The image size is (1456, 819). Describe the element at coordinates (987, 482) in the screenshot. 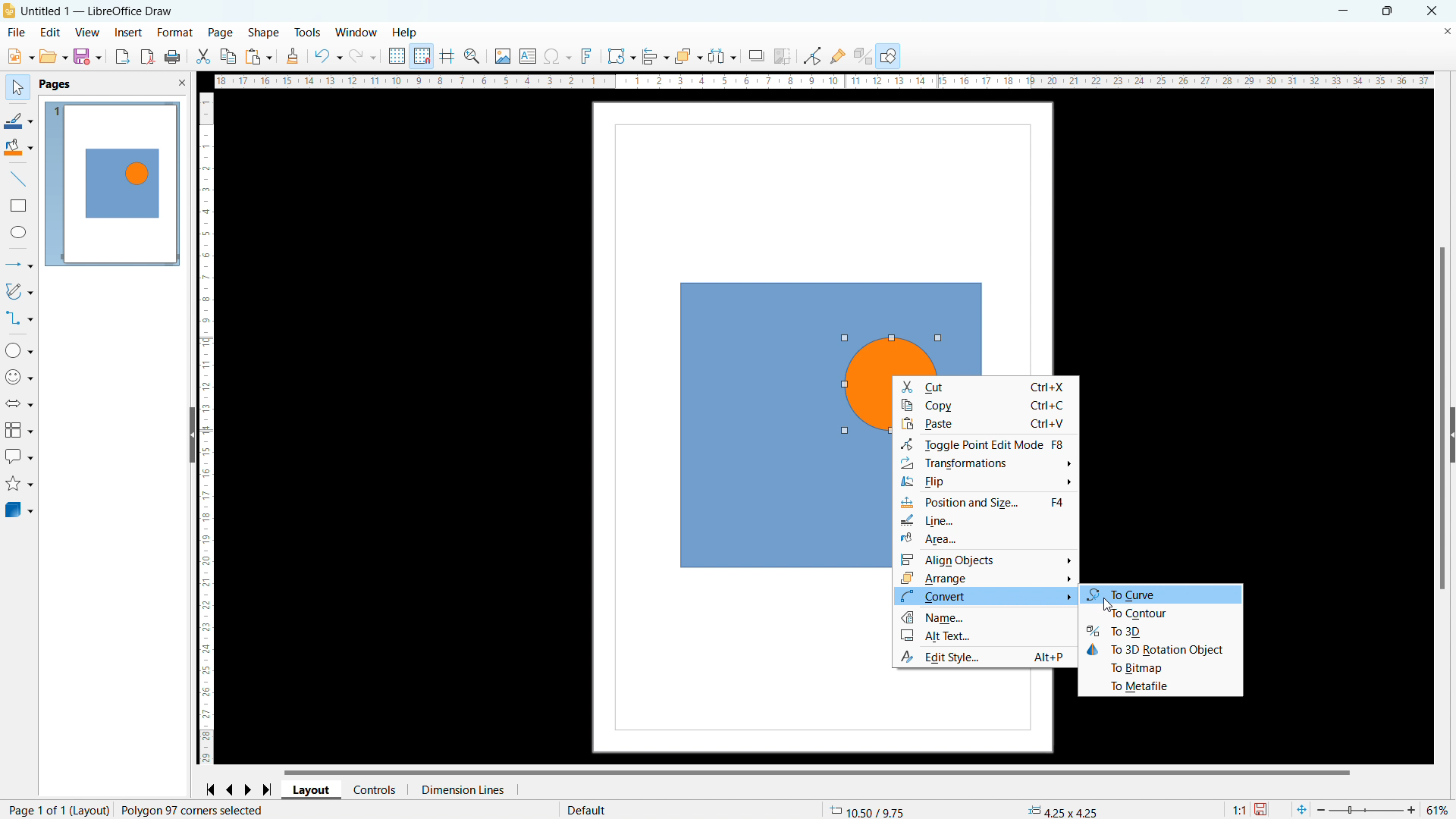

I see `filp` at that location.